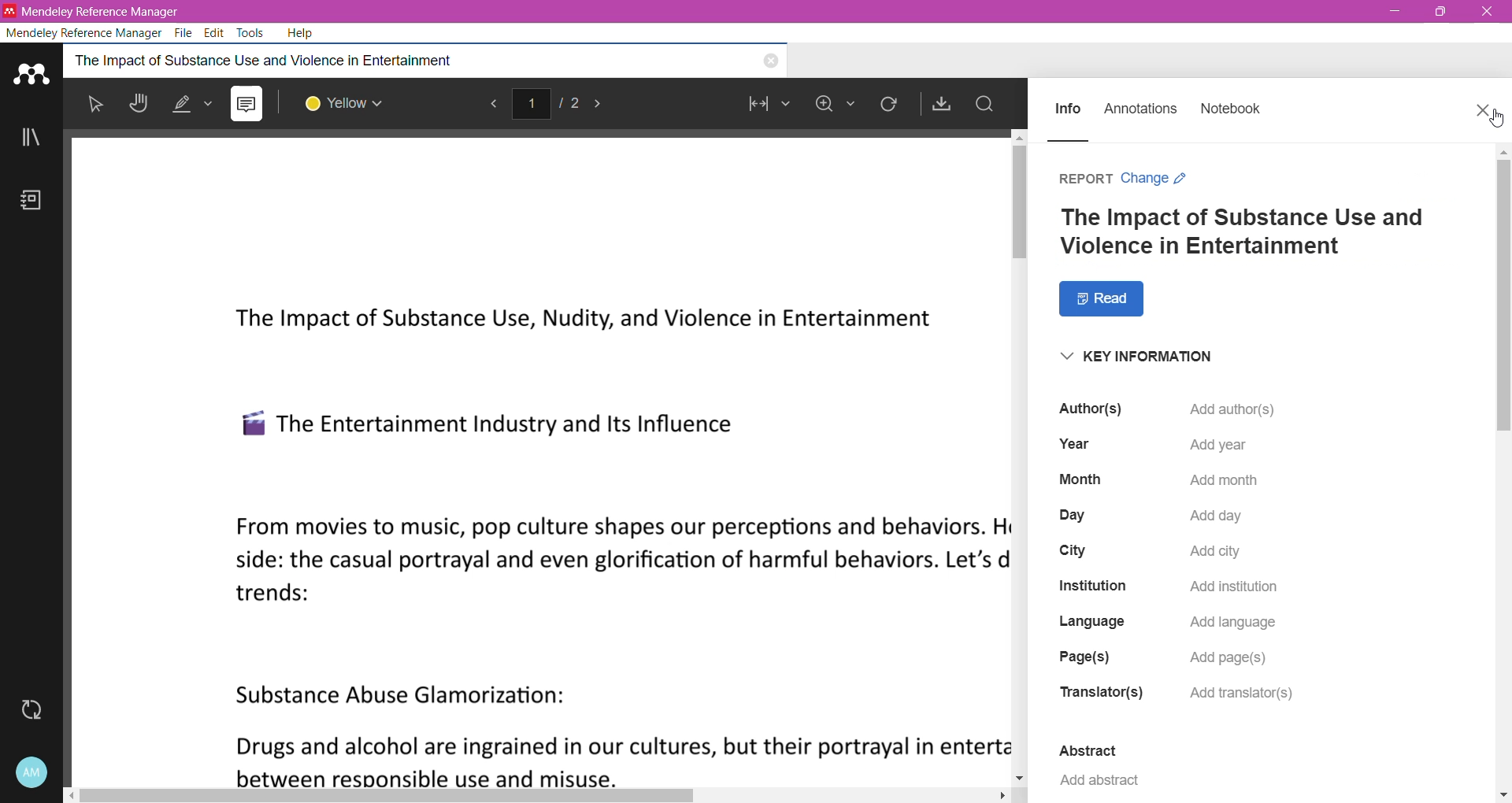  What do you see at coordinates (1076, 442) in the screenshot?
I see `Year` at bounding box center [1076, 442].